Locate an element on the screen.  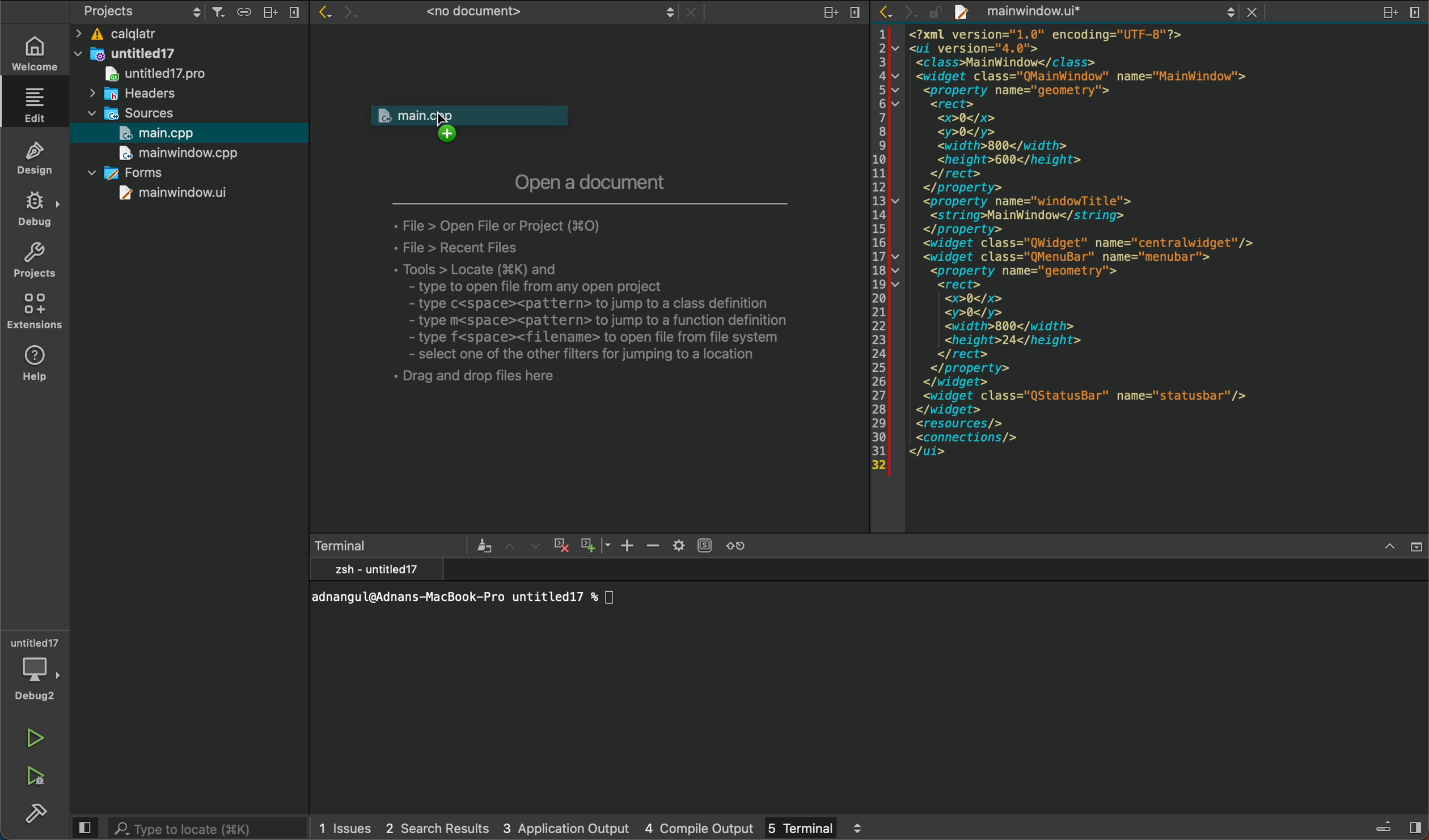
projects is located at coordinates (36, 259).